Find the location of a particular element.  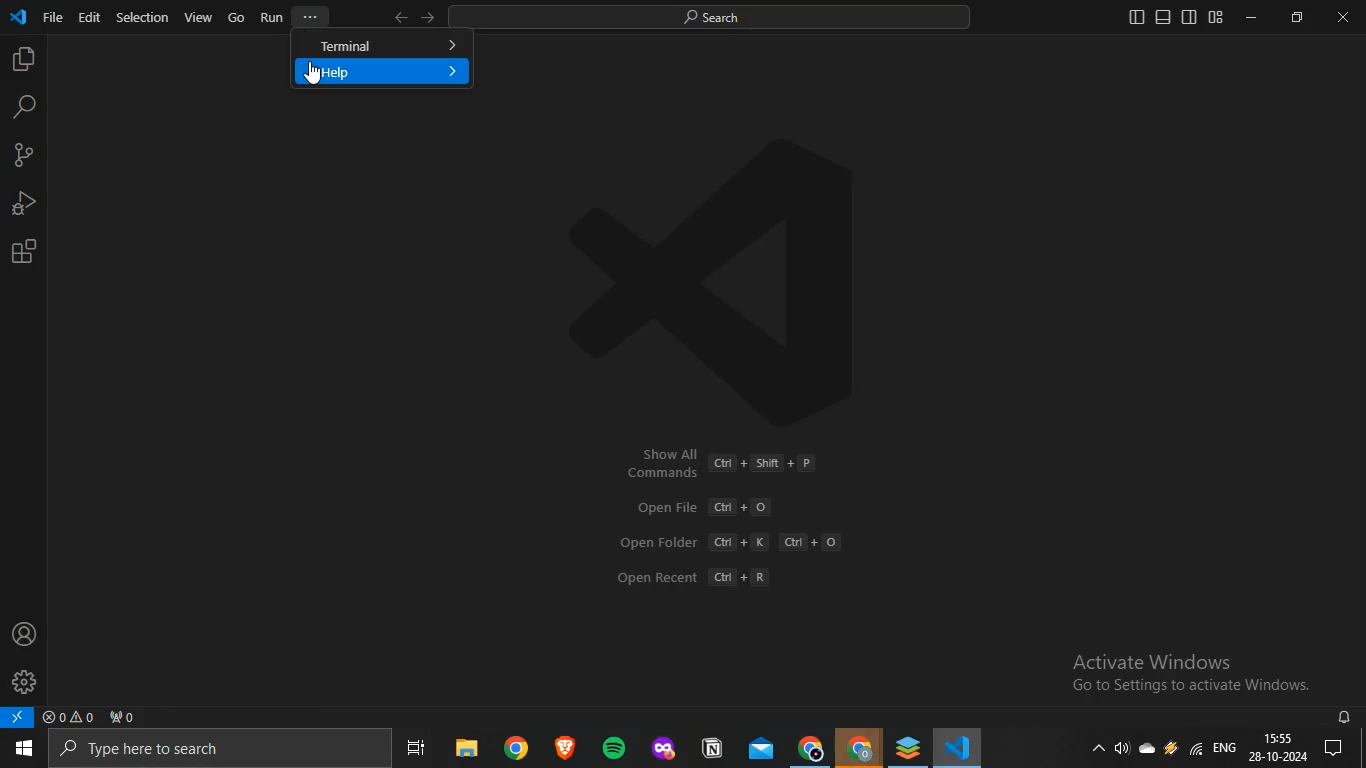

run and debug is located at coordinates (22, 202).